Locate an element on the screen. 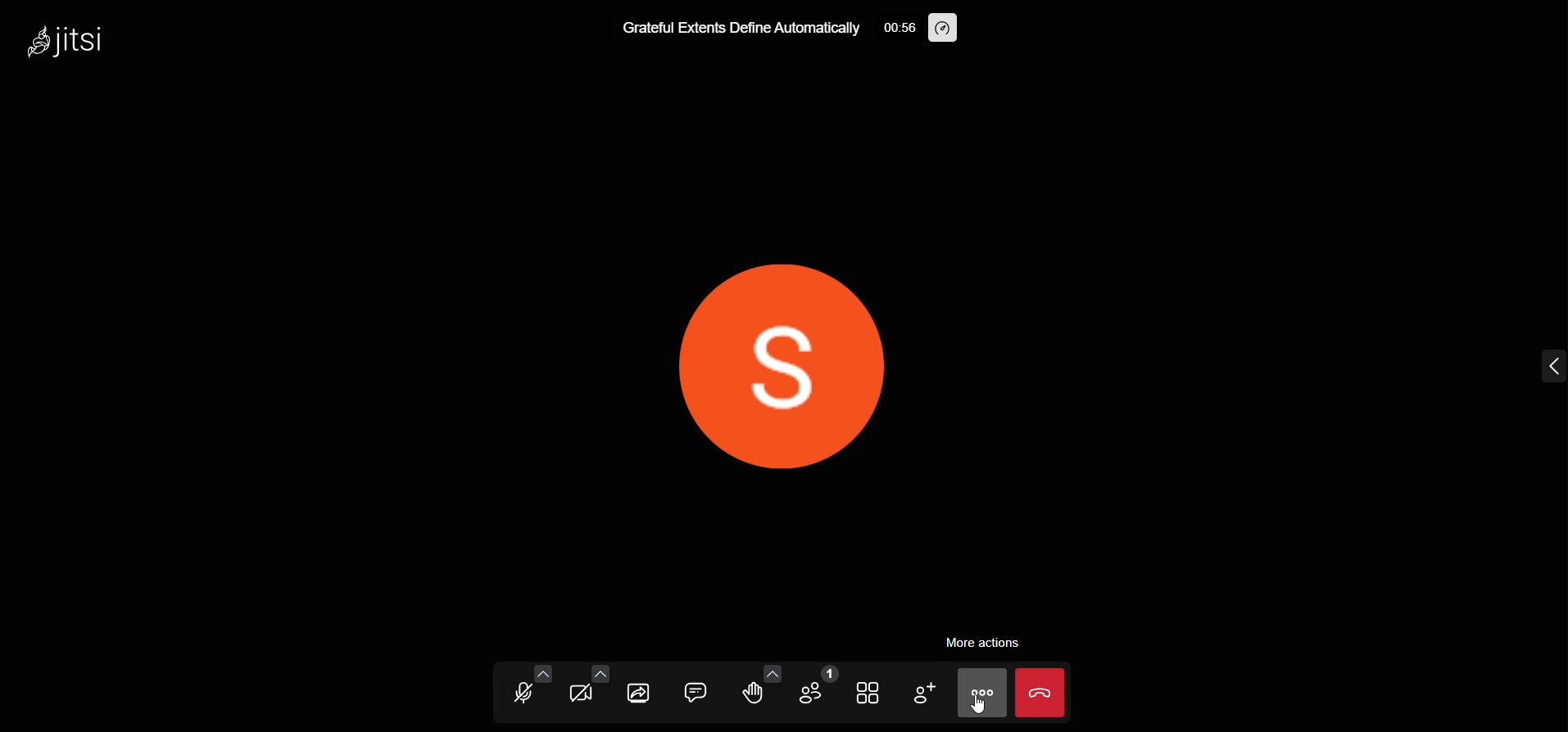 This screenshot has width=1568, height=732. video is located at coordinates (581, 695).